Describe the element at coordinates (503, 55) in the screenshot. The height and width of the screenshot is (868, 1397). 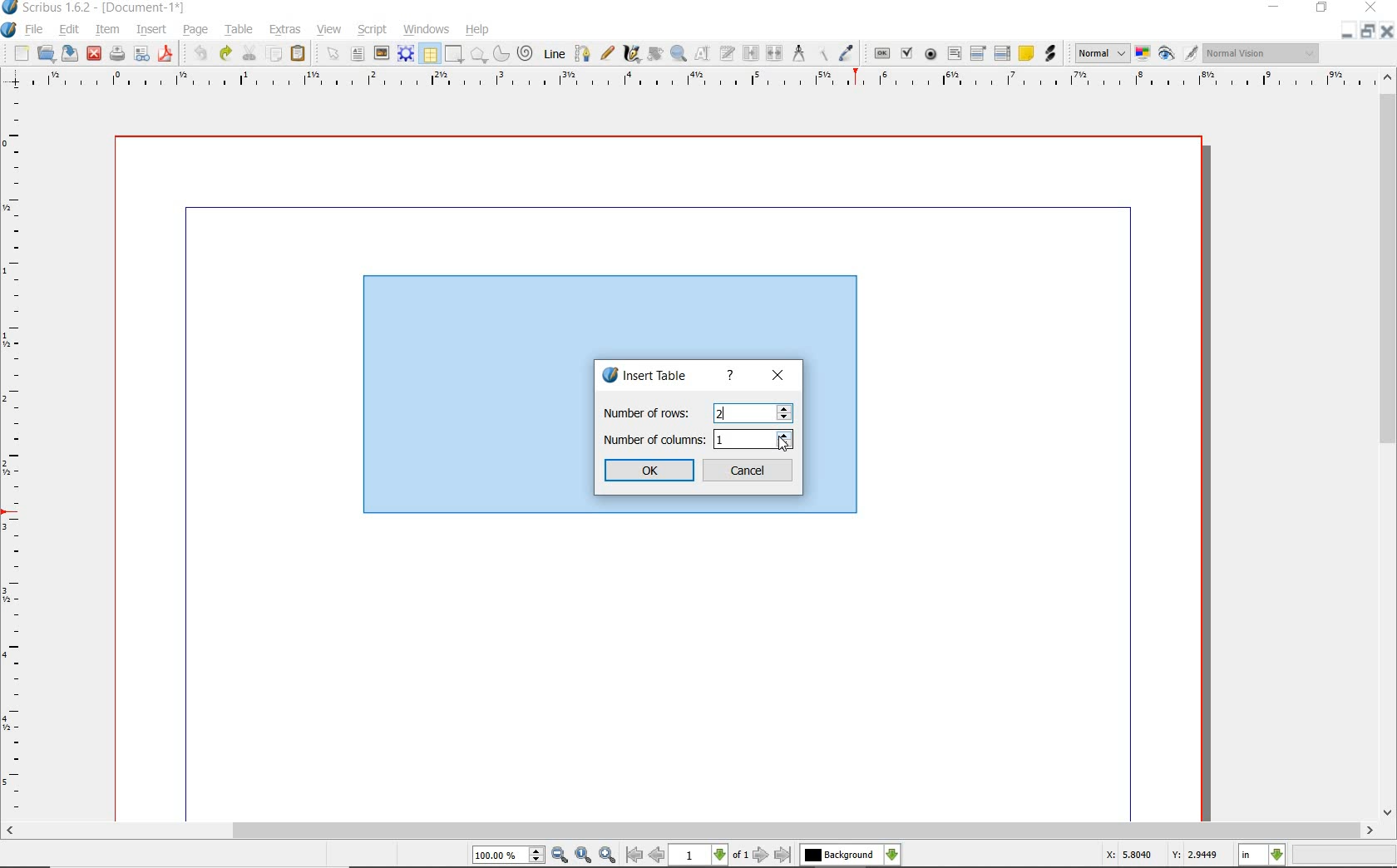
I see `arc` at that location.